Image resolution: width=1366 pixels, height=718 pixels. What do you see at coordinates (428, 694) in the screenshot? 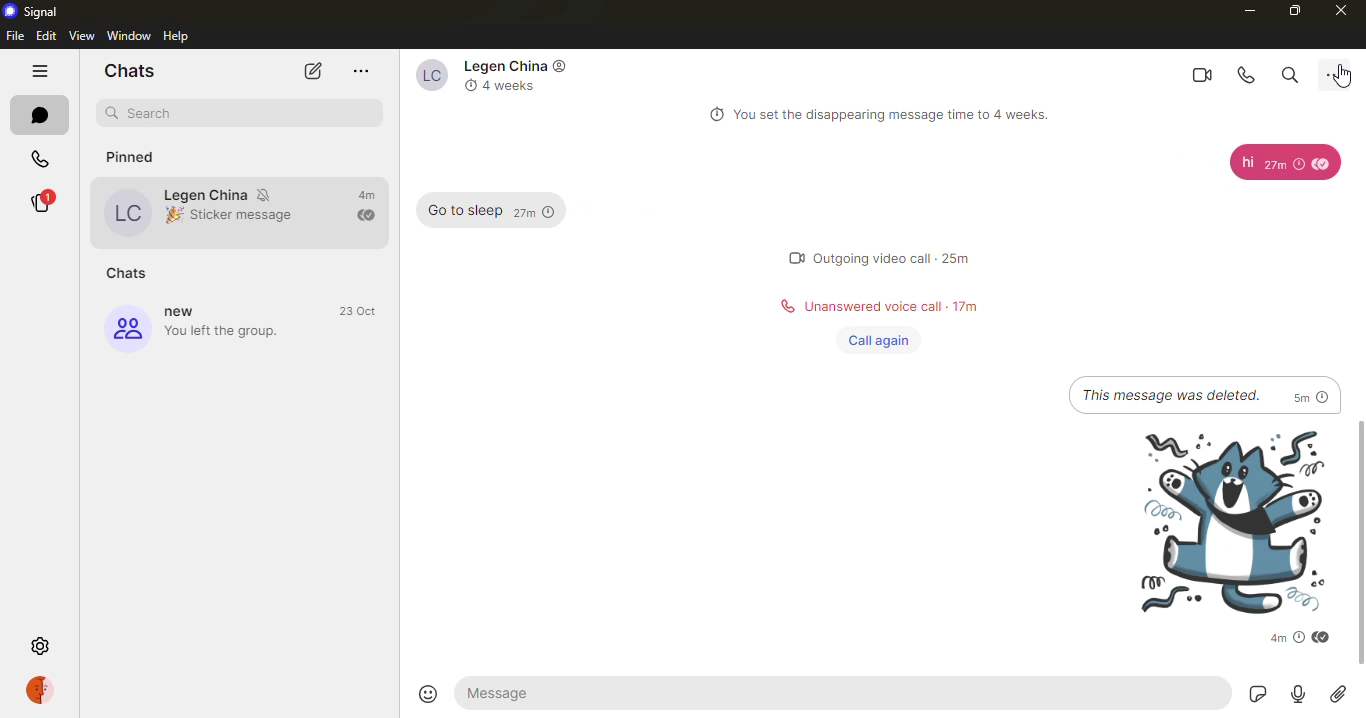
I see `emoji` at bounding box center [428, 694].